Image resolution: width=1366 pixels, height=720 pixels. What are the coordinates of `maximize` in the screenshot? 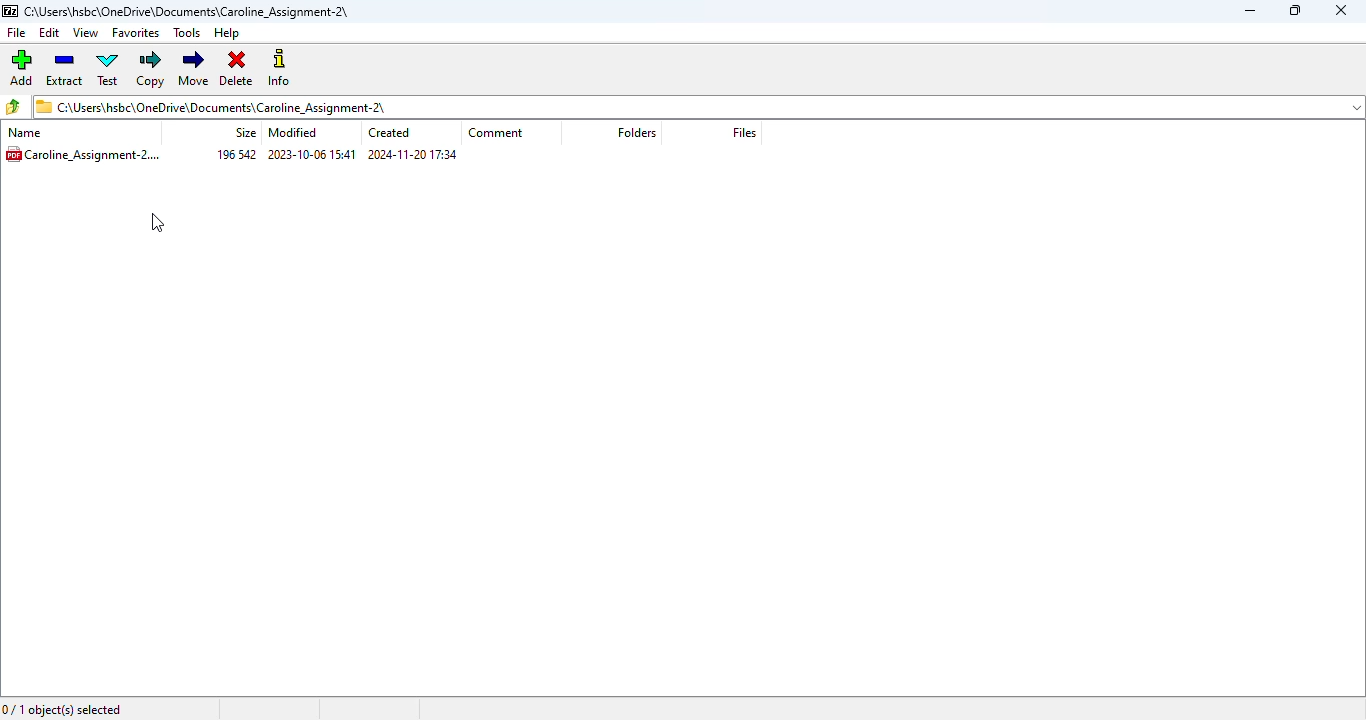 It's located at (1296, 10).